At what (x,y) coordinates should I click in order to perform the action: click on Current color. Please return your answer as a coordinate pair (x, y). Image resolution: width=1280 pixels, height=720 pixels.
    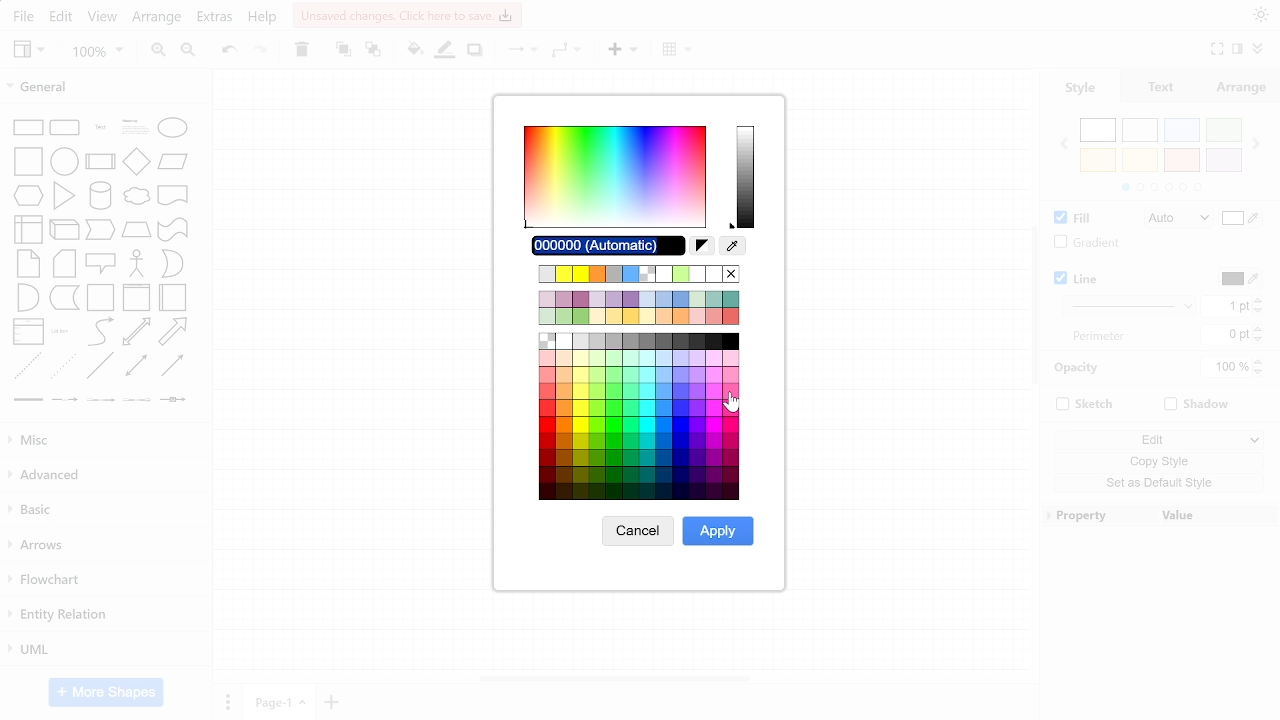
    Looking at the image, I should click on (609, 245).